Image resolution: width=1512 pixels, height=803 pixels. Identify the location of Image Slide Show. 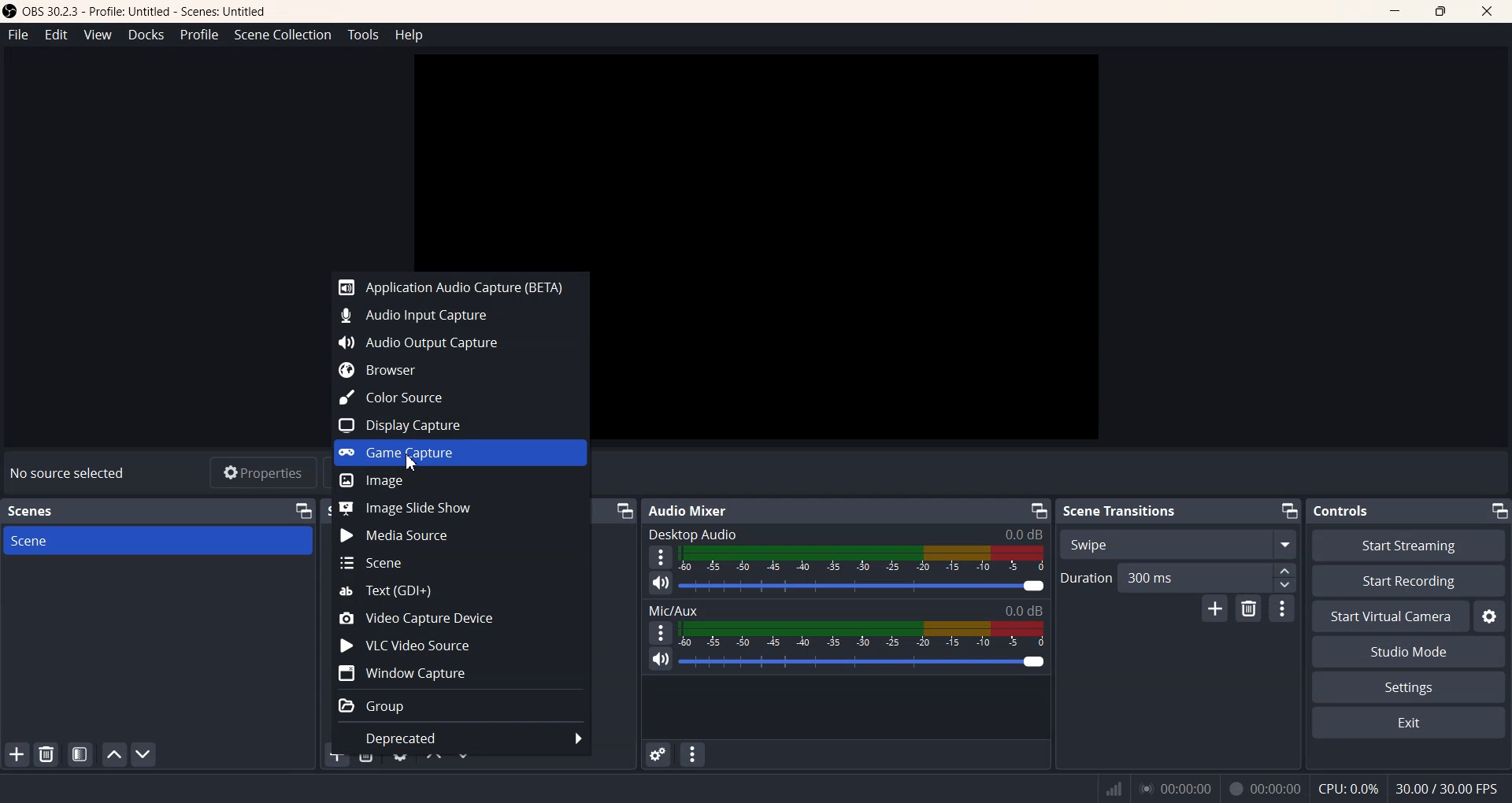
(460, 509).